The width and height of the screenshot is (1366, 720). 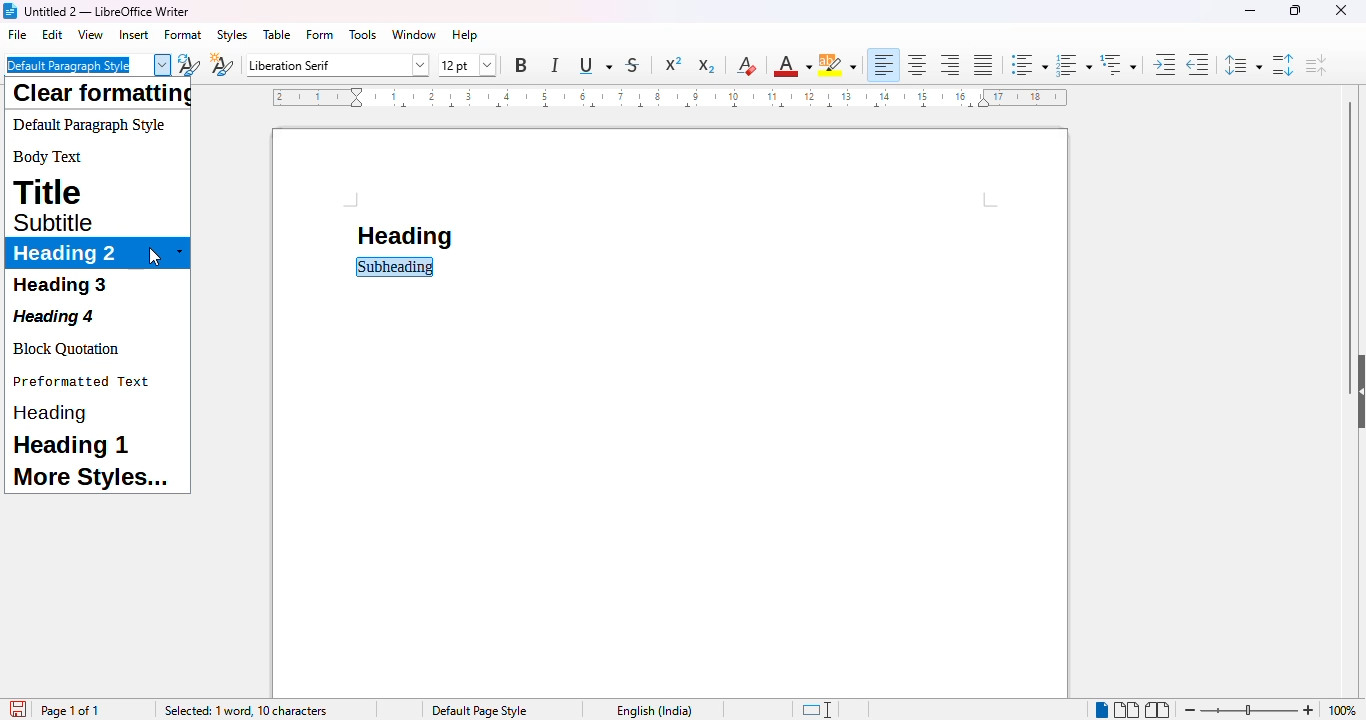 I want to click on heading 2, so click(x=70, y=253).